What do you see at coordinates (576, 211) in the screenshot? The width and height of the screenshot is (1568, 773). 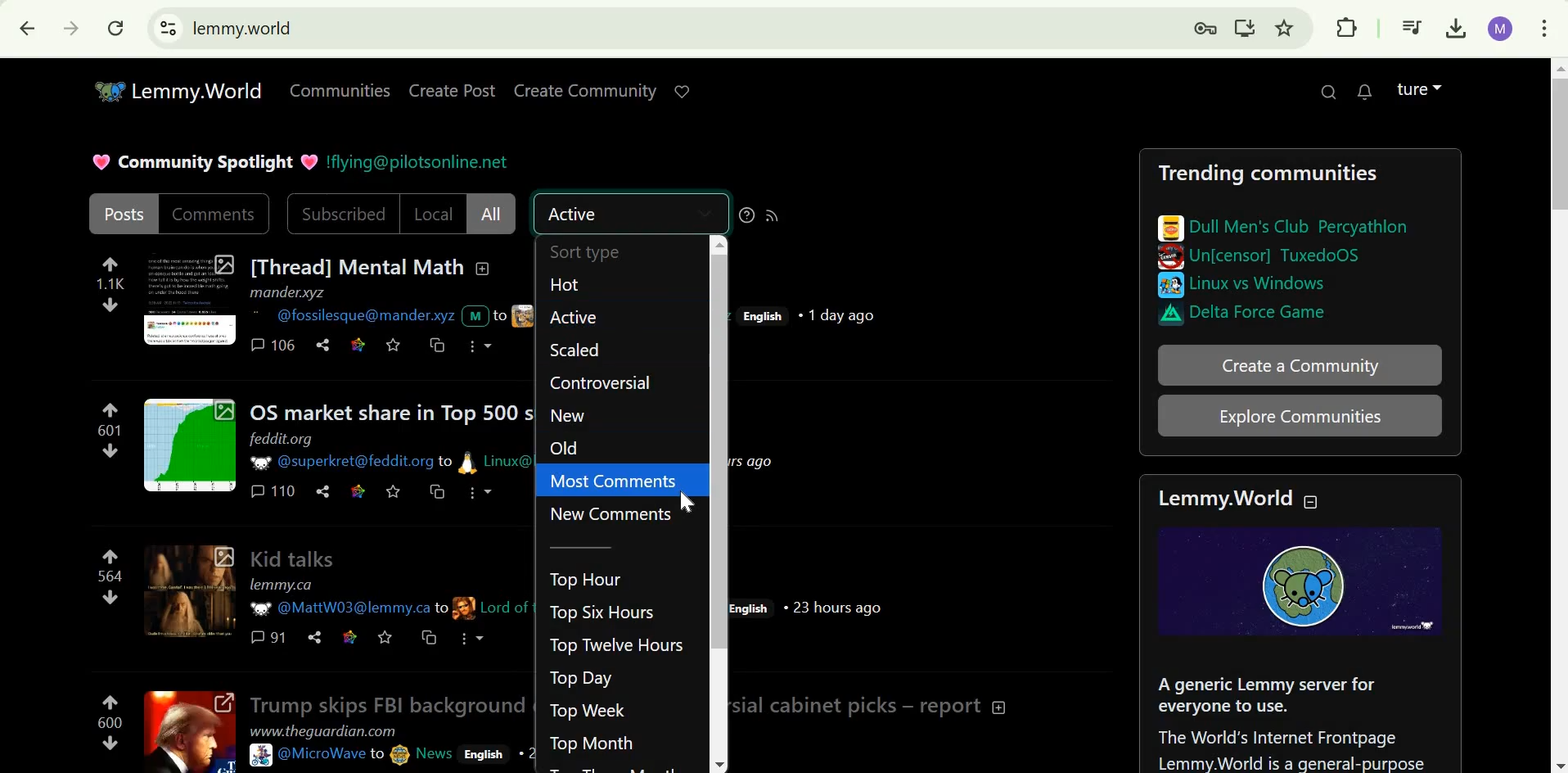 I see `Active` at bounding box center [576, 211].